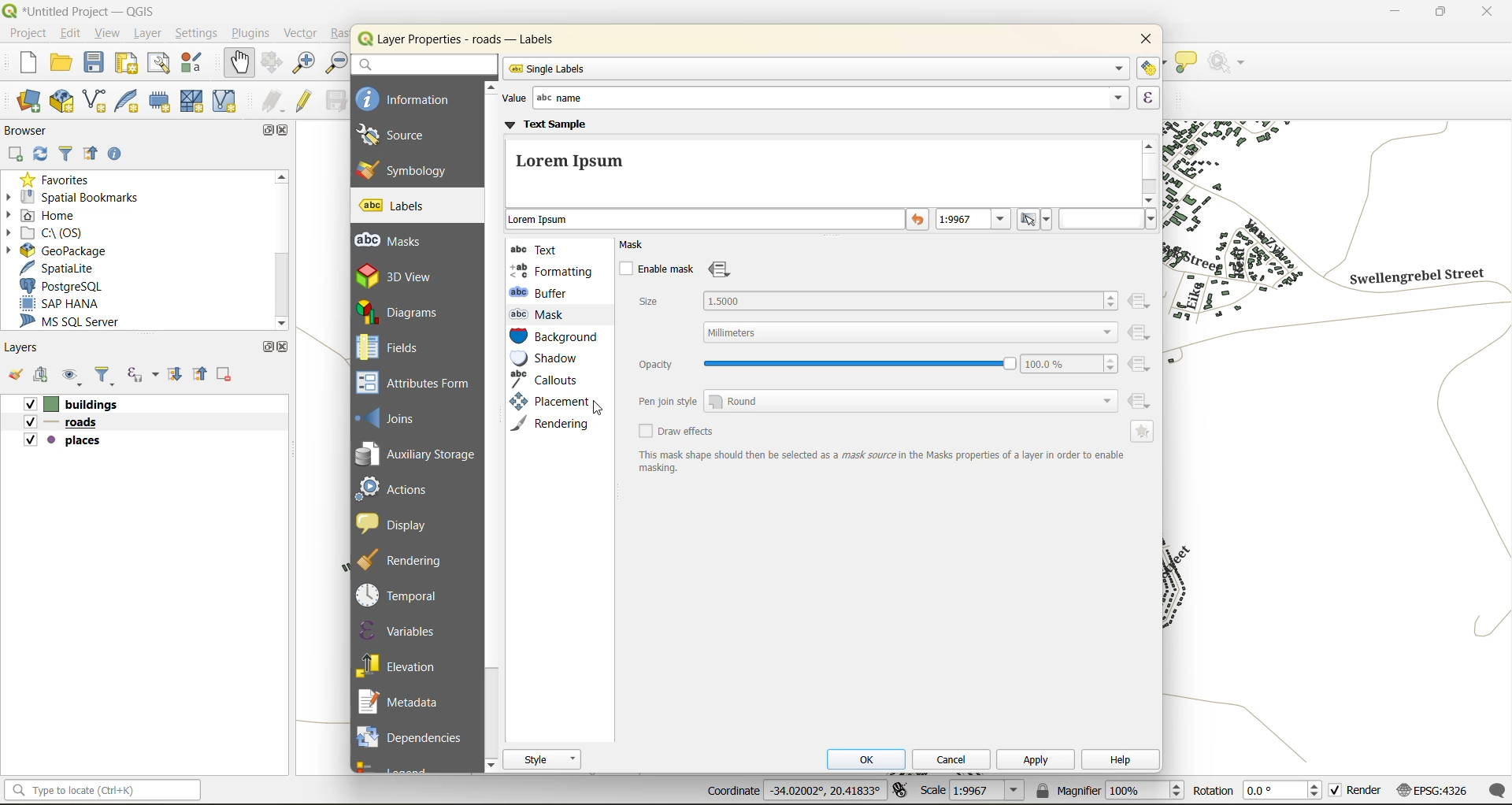 The height and width of the screenshot is (805, 1512). I want to click on buffer, so click(543, 292).